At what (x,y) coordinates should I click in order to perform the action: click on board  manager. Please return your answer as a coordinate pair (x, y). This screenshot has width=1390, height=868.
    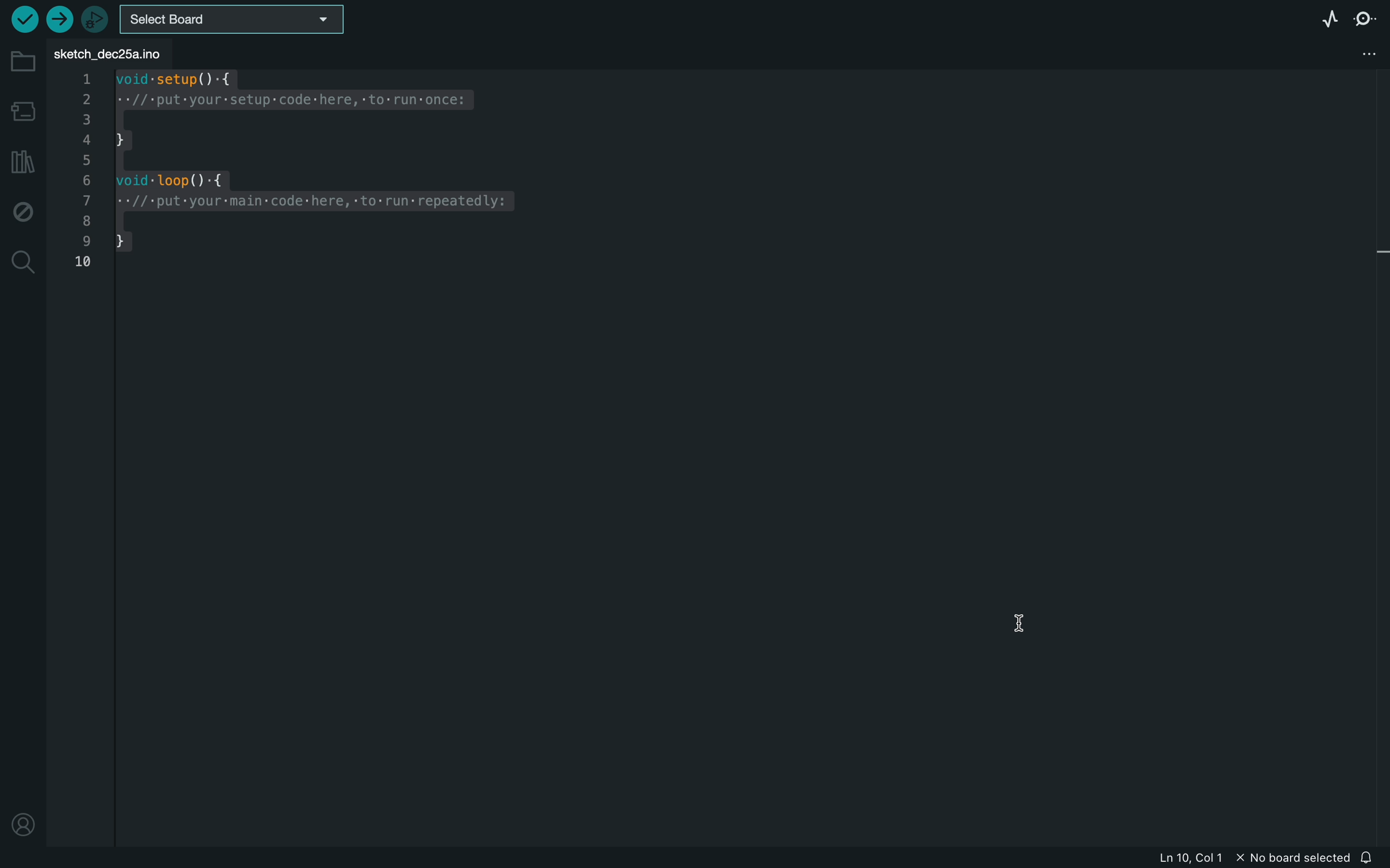
    Looking at the image, I should click on (25, 113).